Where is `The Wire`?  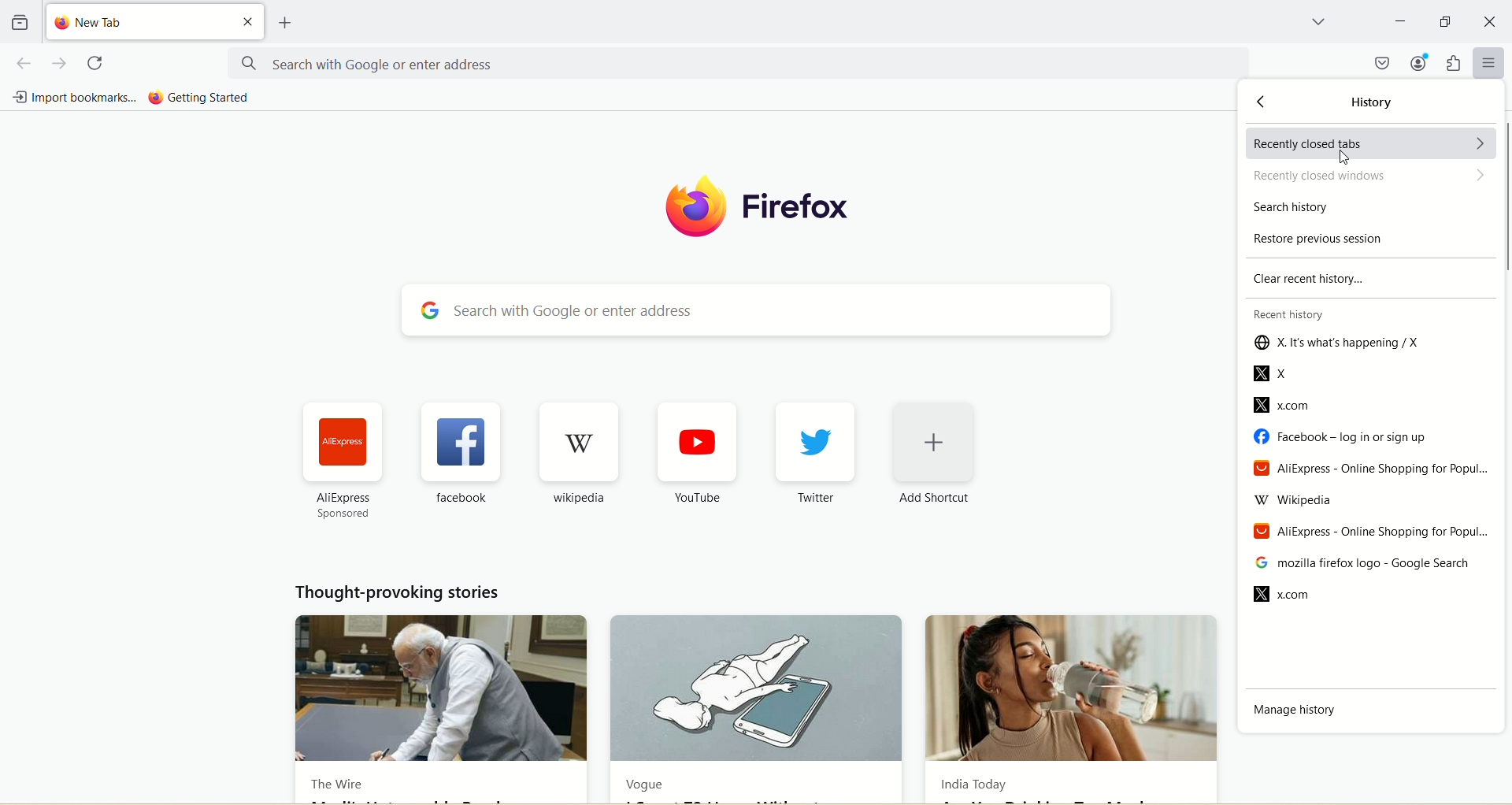
The Wire is located at coordinates (336, 787).